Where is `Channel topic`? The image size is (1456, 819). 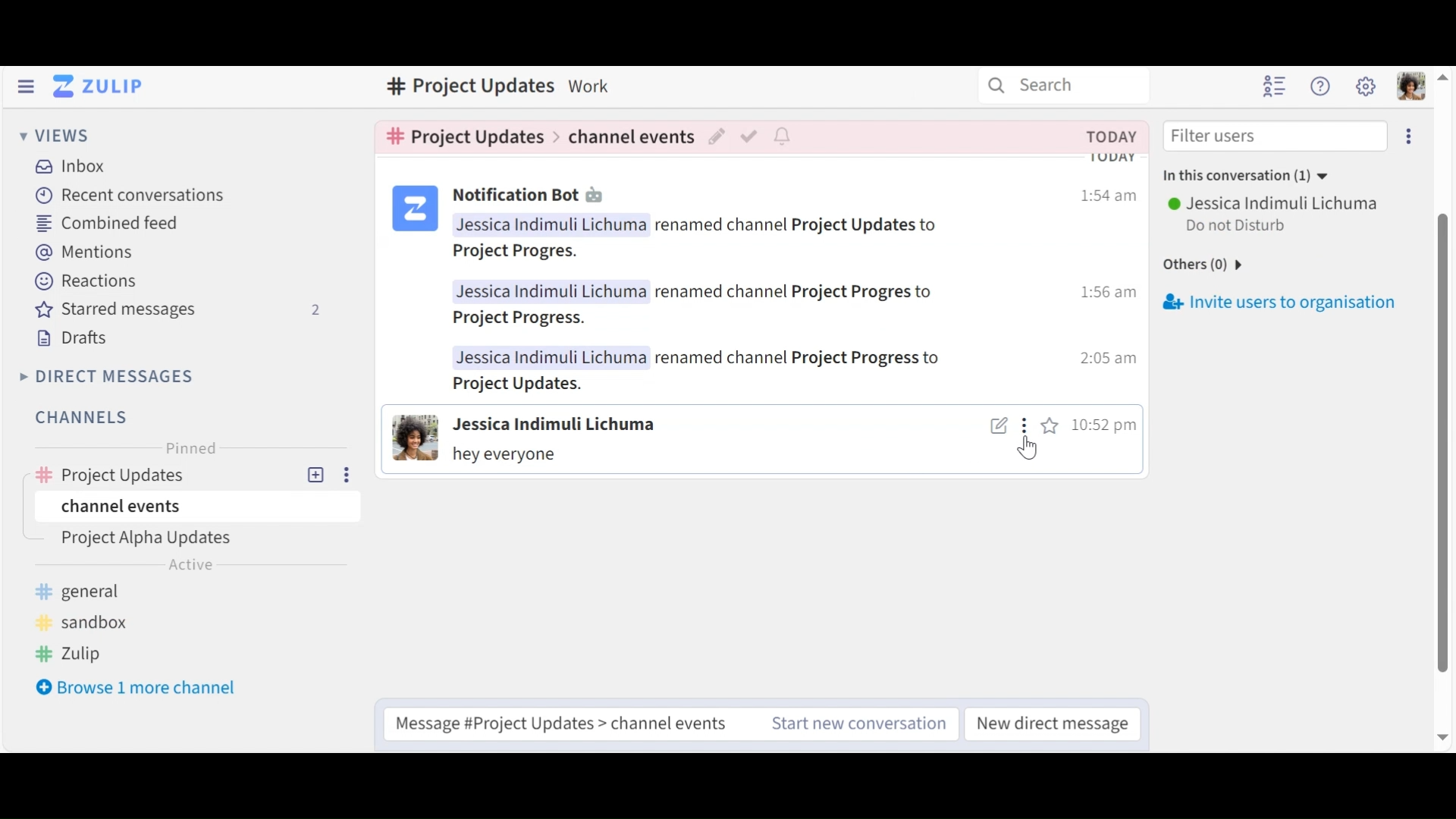 Channel topic is located at coordinates (463, 87).